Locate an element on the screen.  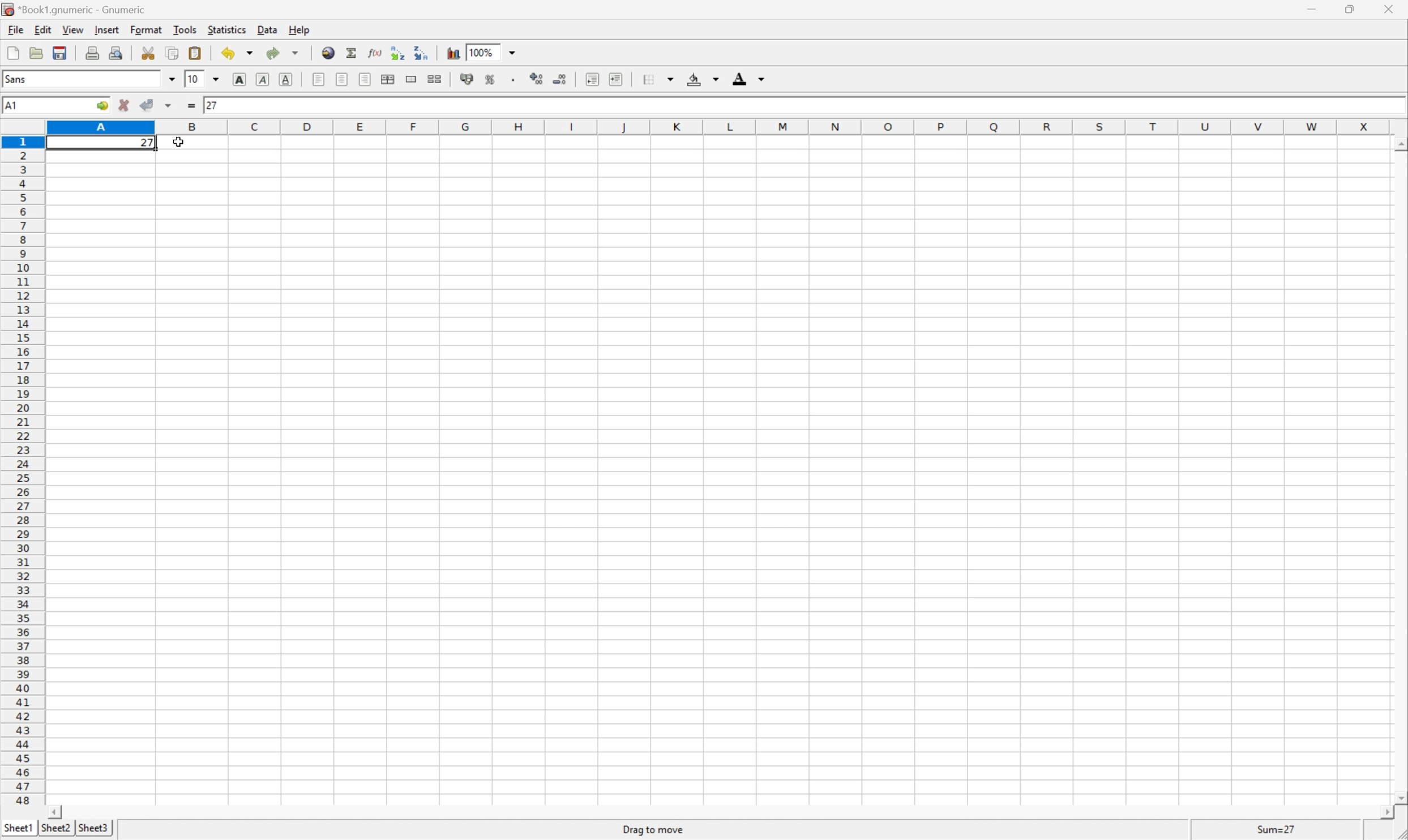
Edit is located at coordinates (41, 31).